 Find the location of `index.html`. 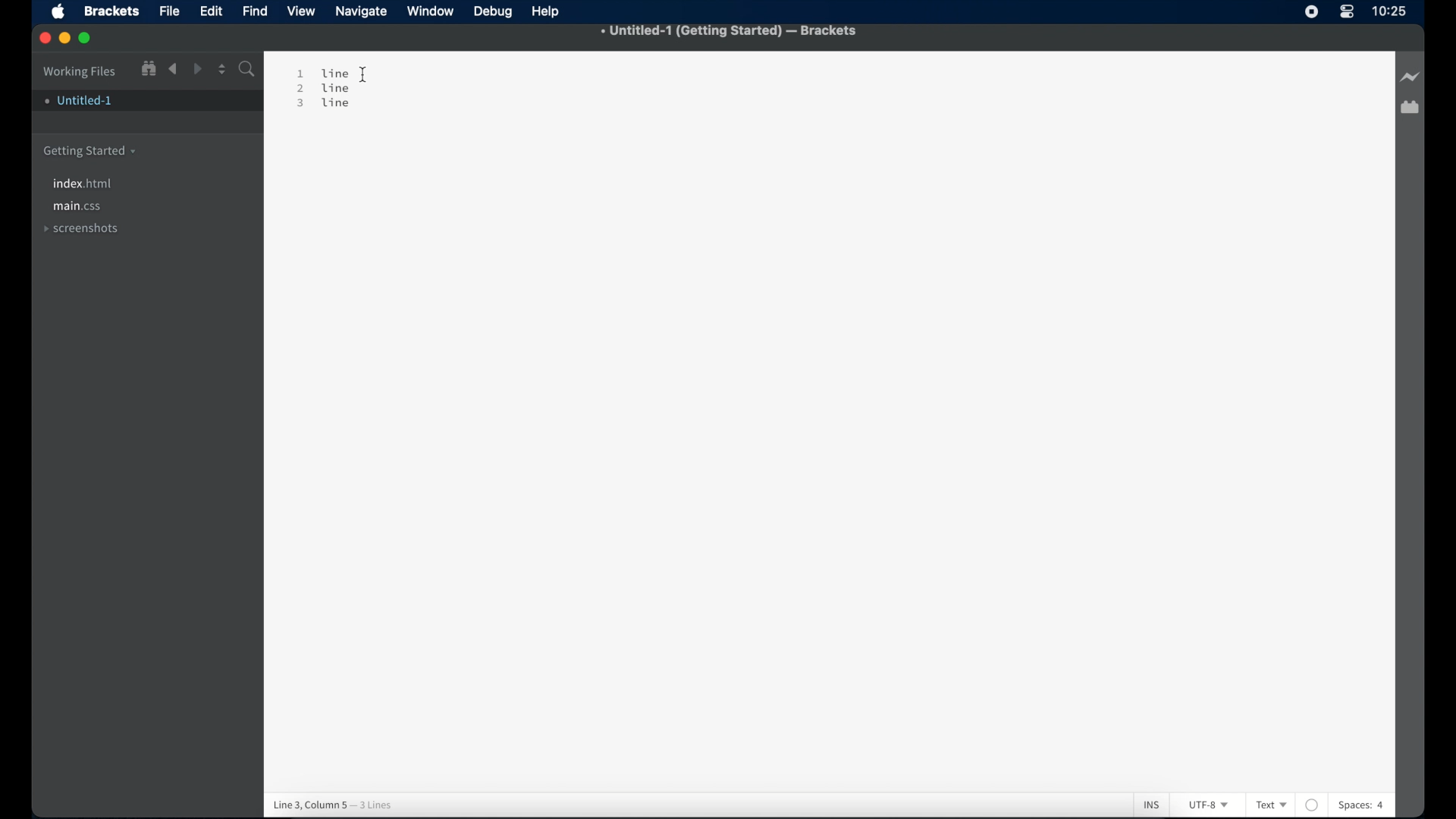

index.html is located at coordinates (84, 184).